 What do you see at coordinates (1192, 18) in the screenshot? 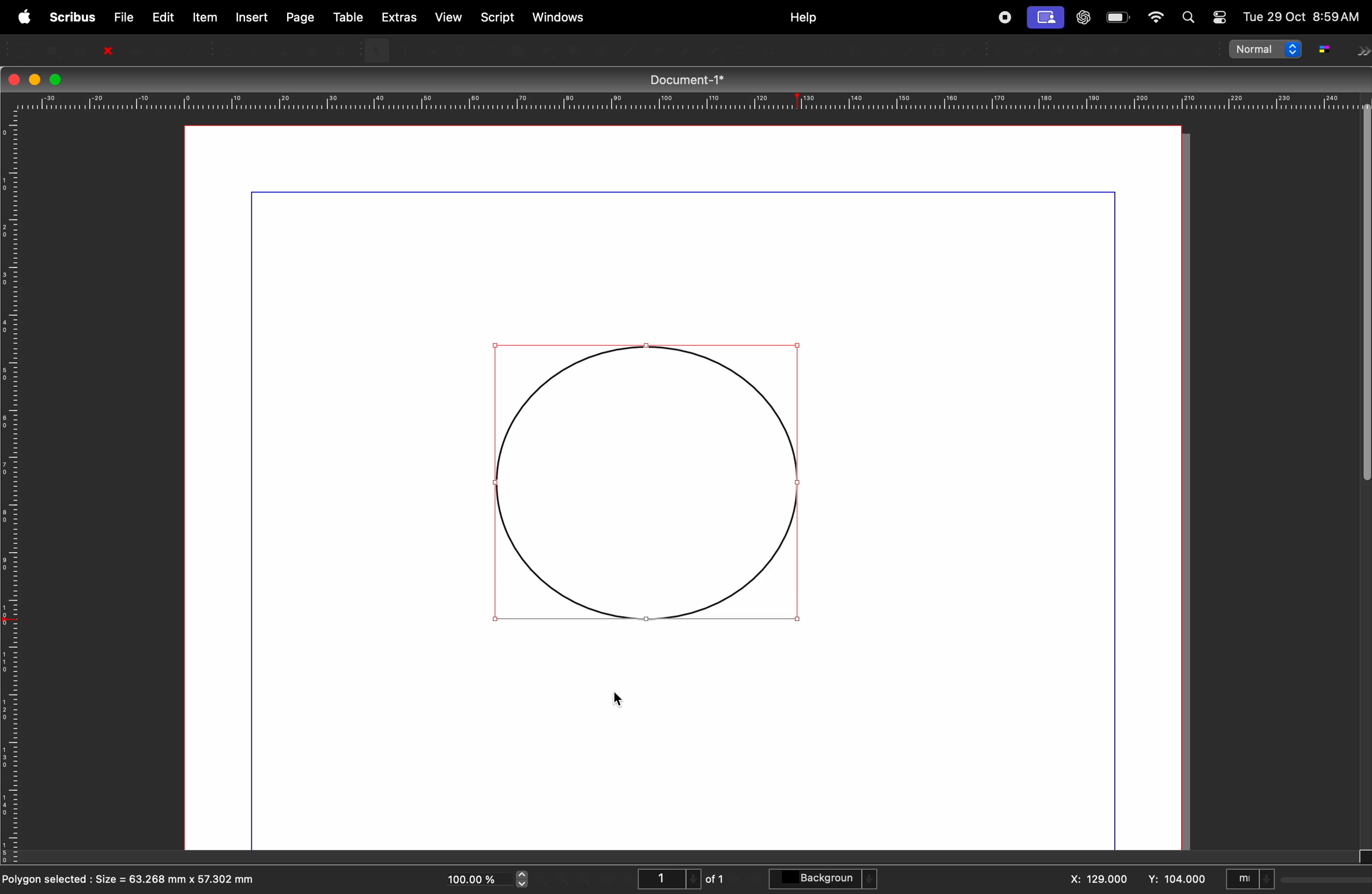
I see `find` at bounding box center [1192, 18].